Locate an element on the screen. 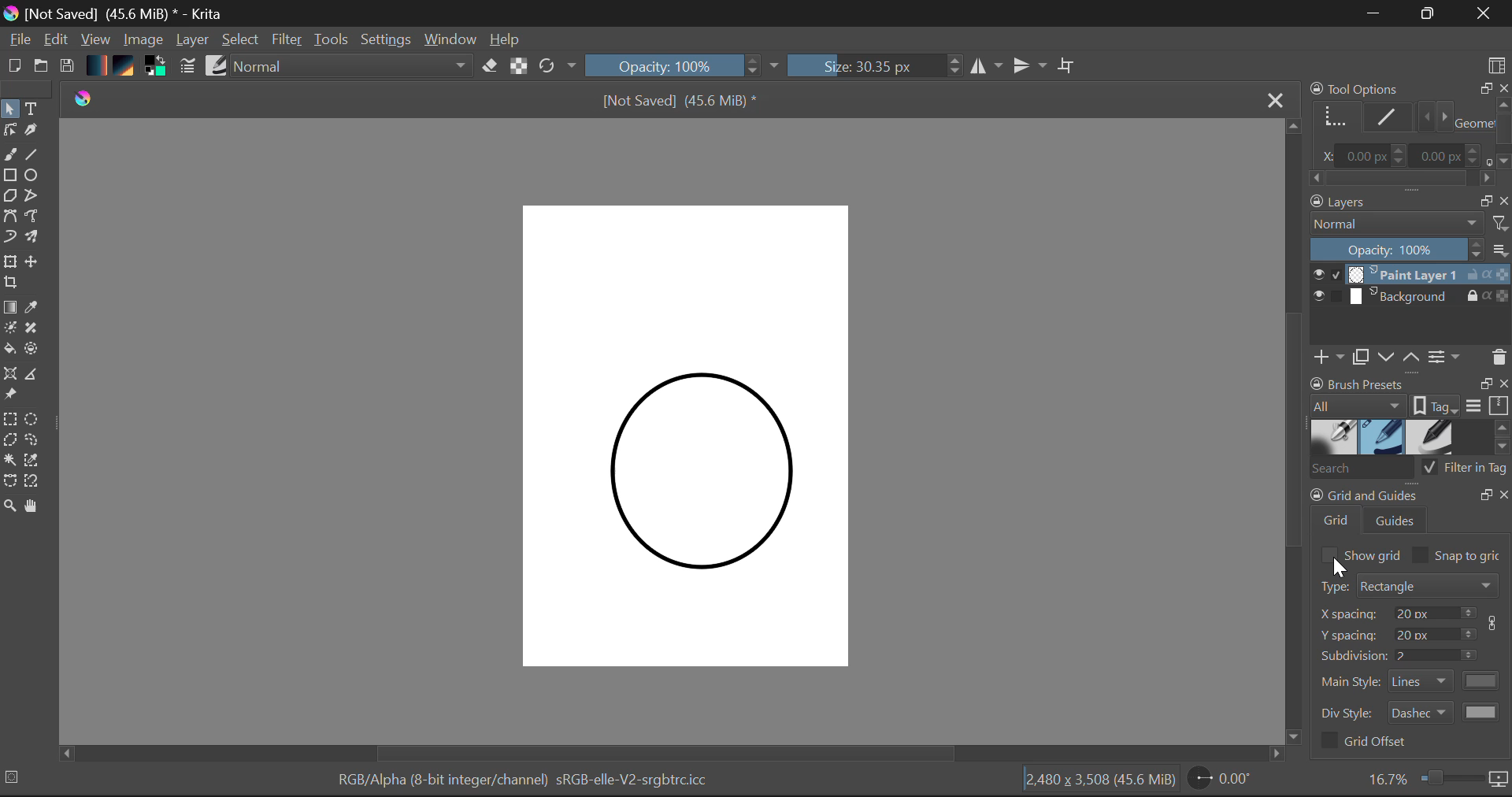  Help is located at coordinates (509, 39).